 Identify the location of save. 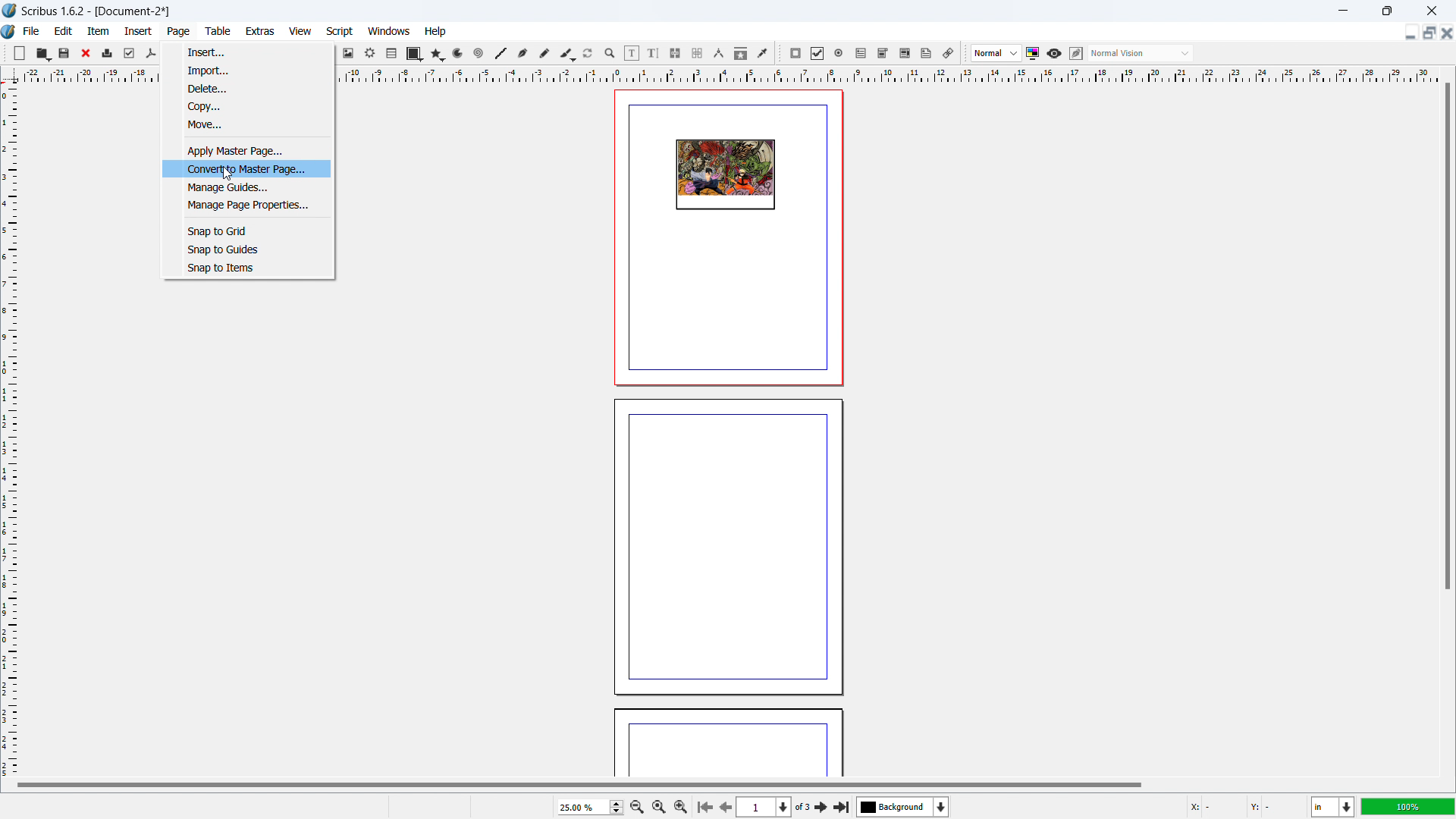
(65, 52).